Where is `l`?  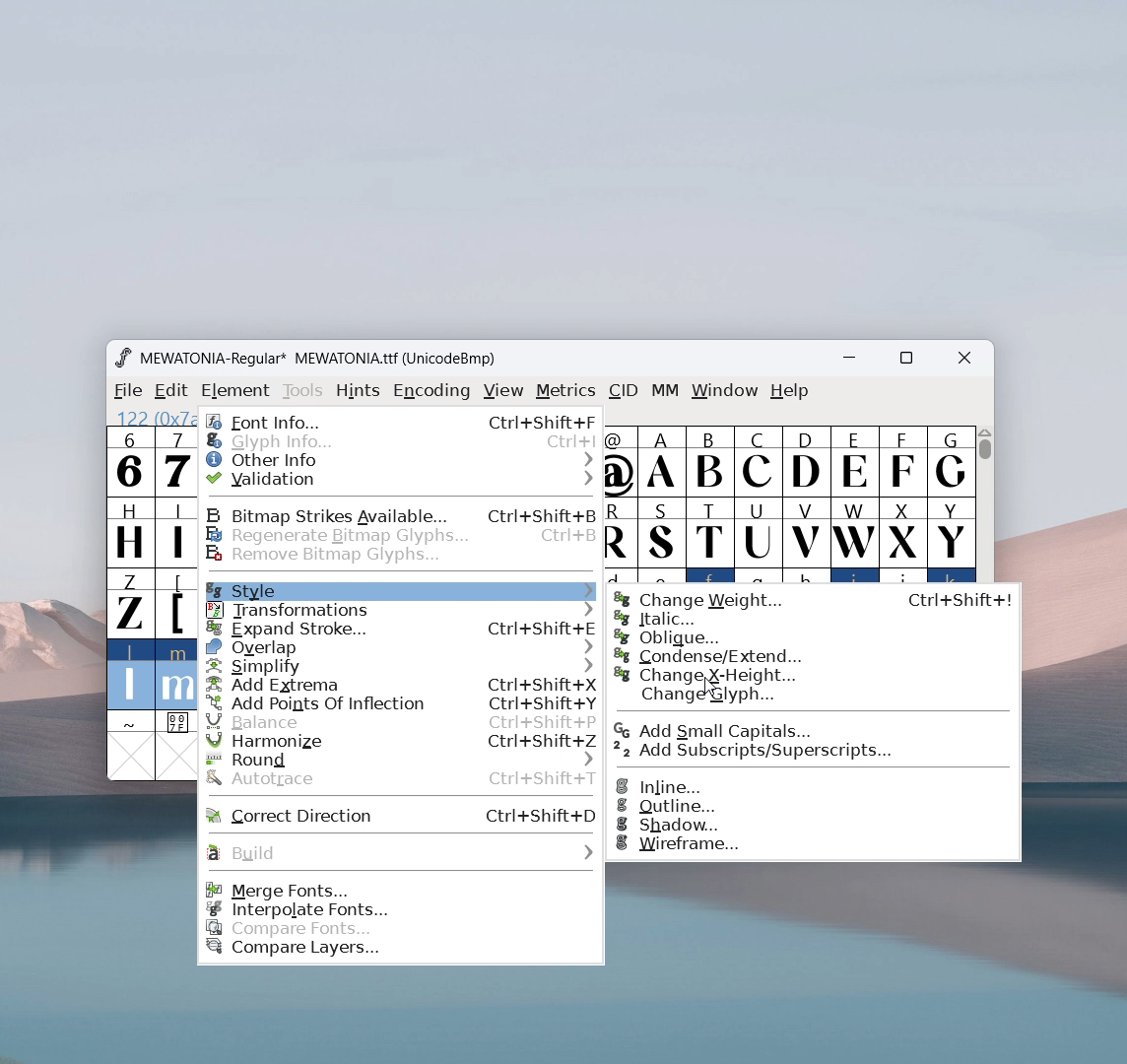 l is located at coordinates (131, 674).